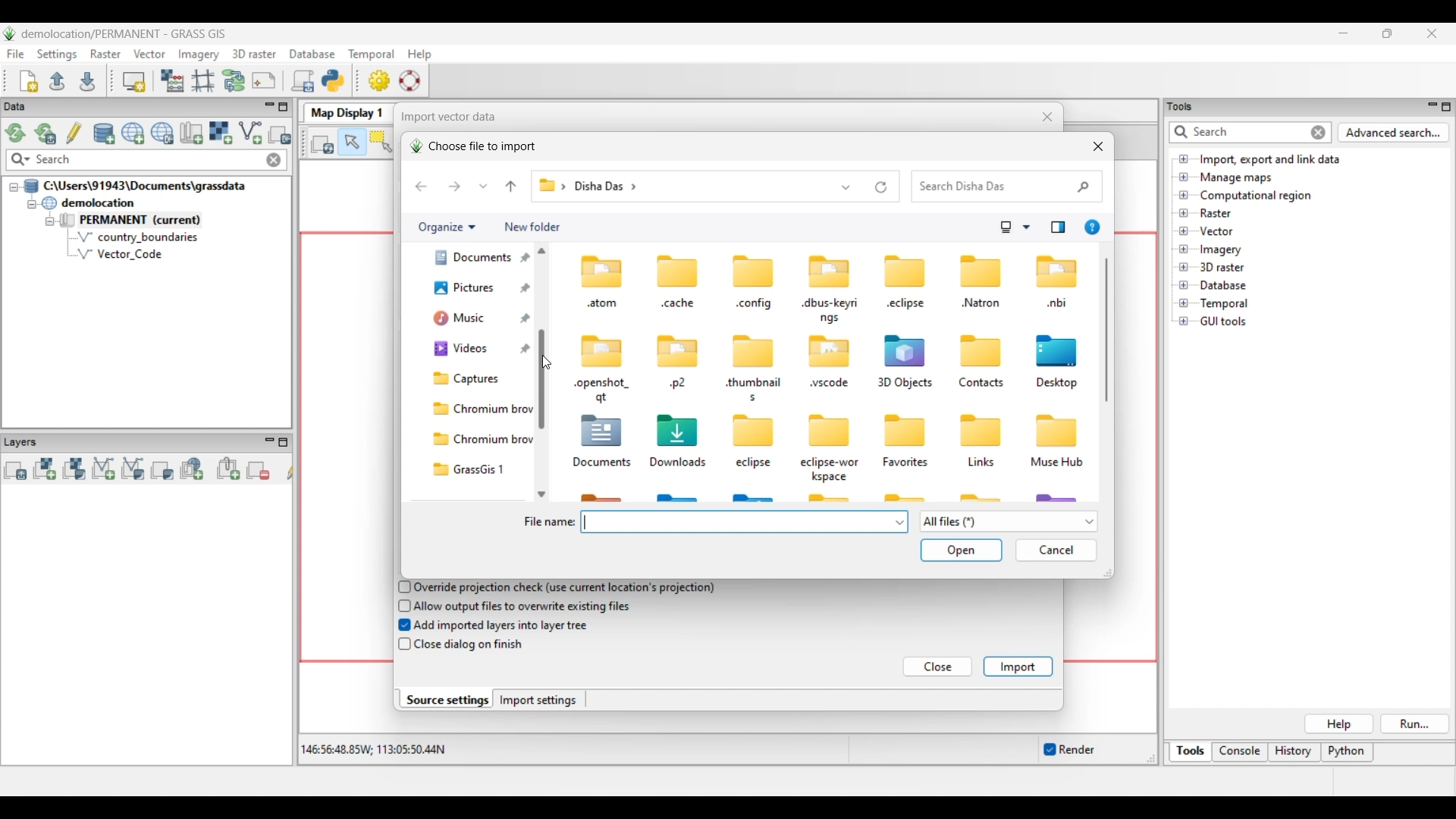 The width and height of the screenshot is (1456, 819). I want to click on Software logo, so click(10, 33).